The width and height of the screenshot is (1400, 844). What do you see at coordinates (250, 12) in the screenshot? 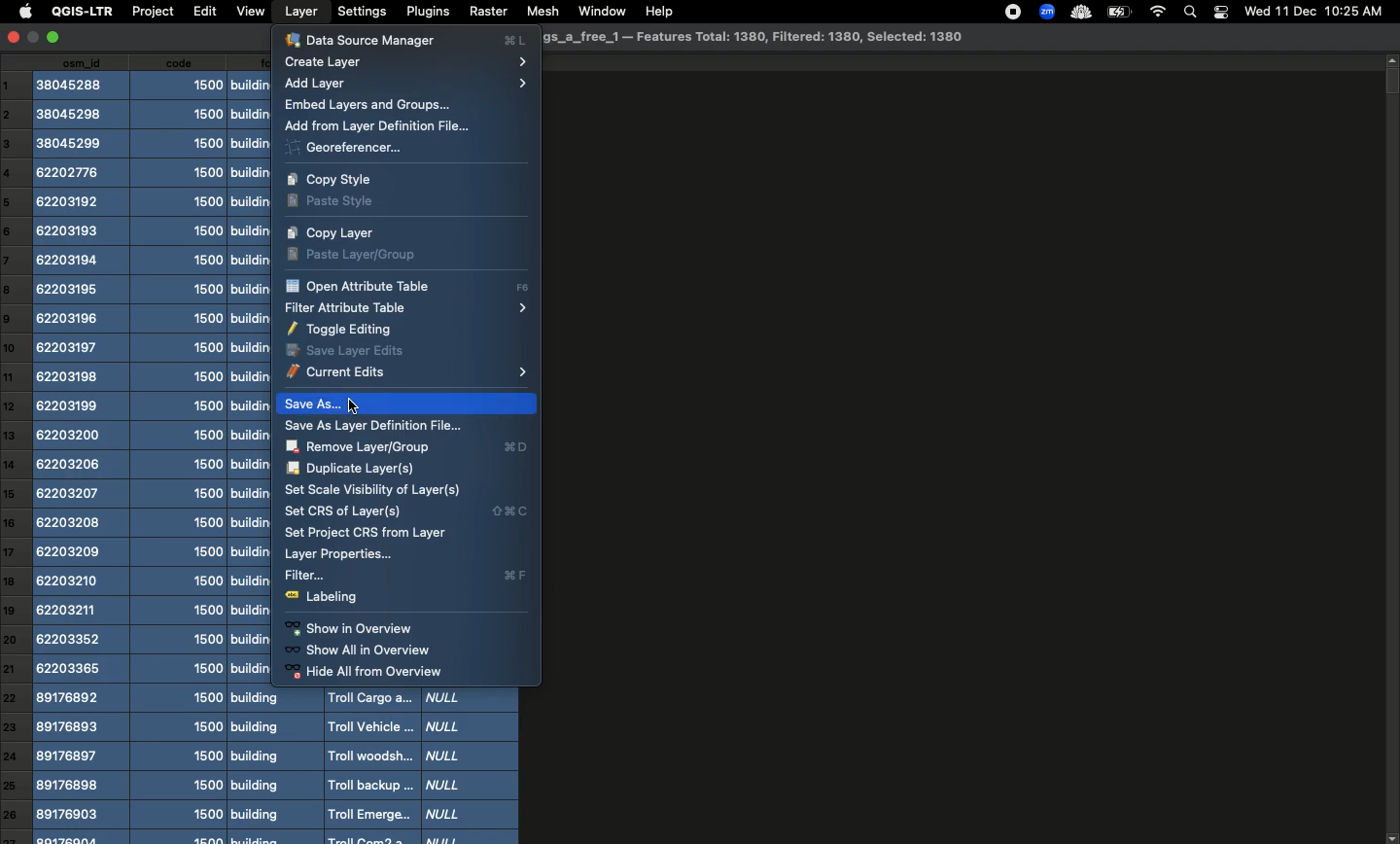
I see `View` at bounding box center [250, 12].